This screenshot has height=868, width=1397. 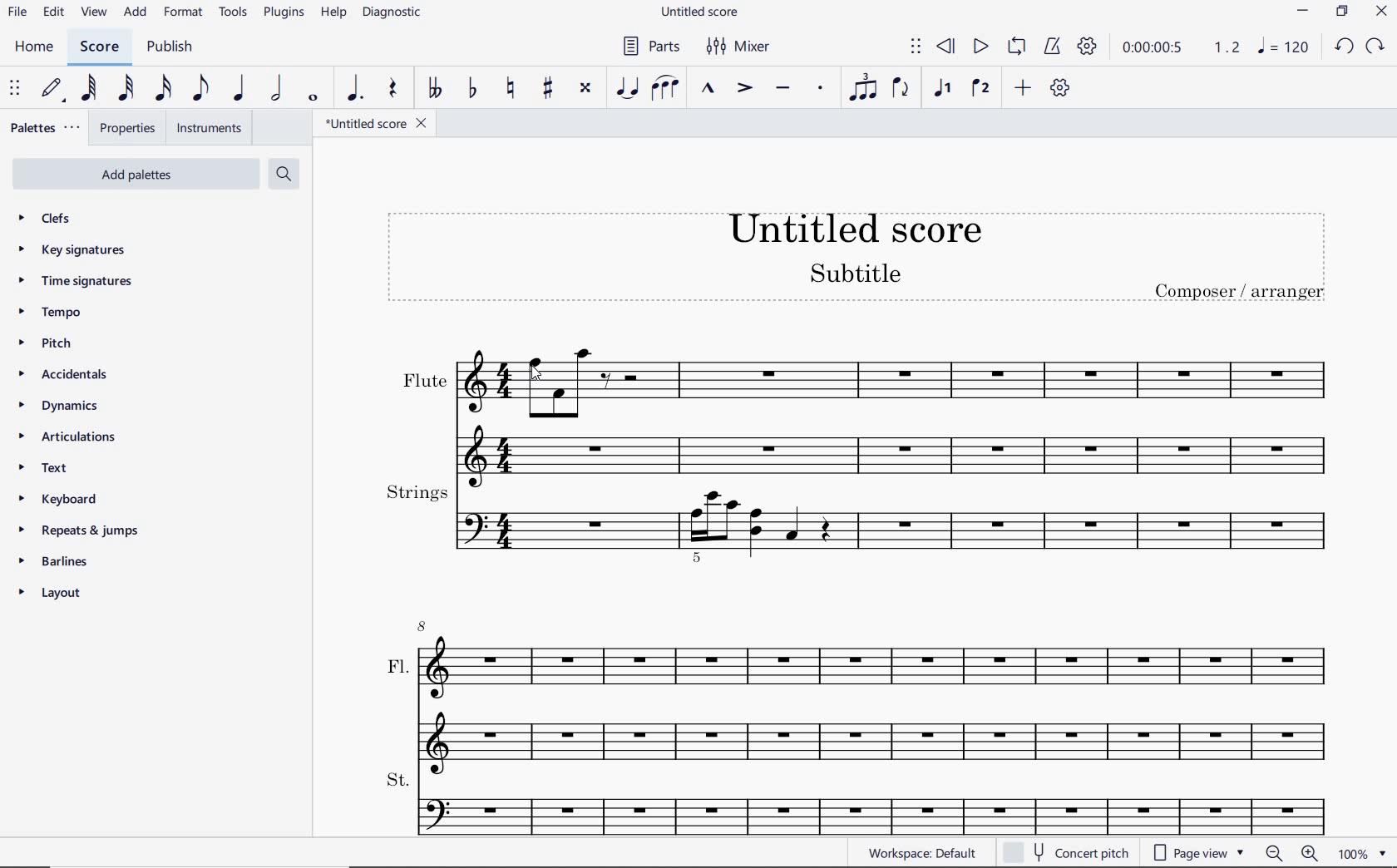 I want to click on repeats & jumps, so click(x=76, y=530).